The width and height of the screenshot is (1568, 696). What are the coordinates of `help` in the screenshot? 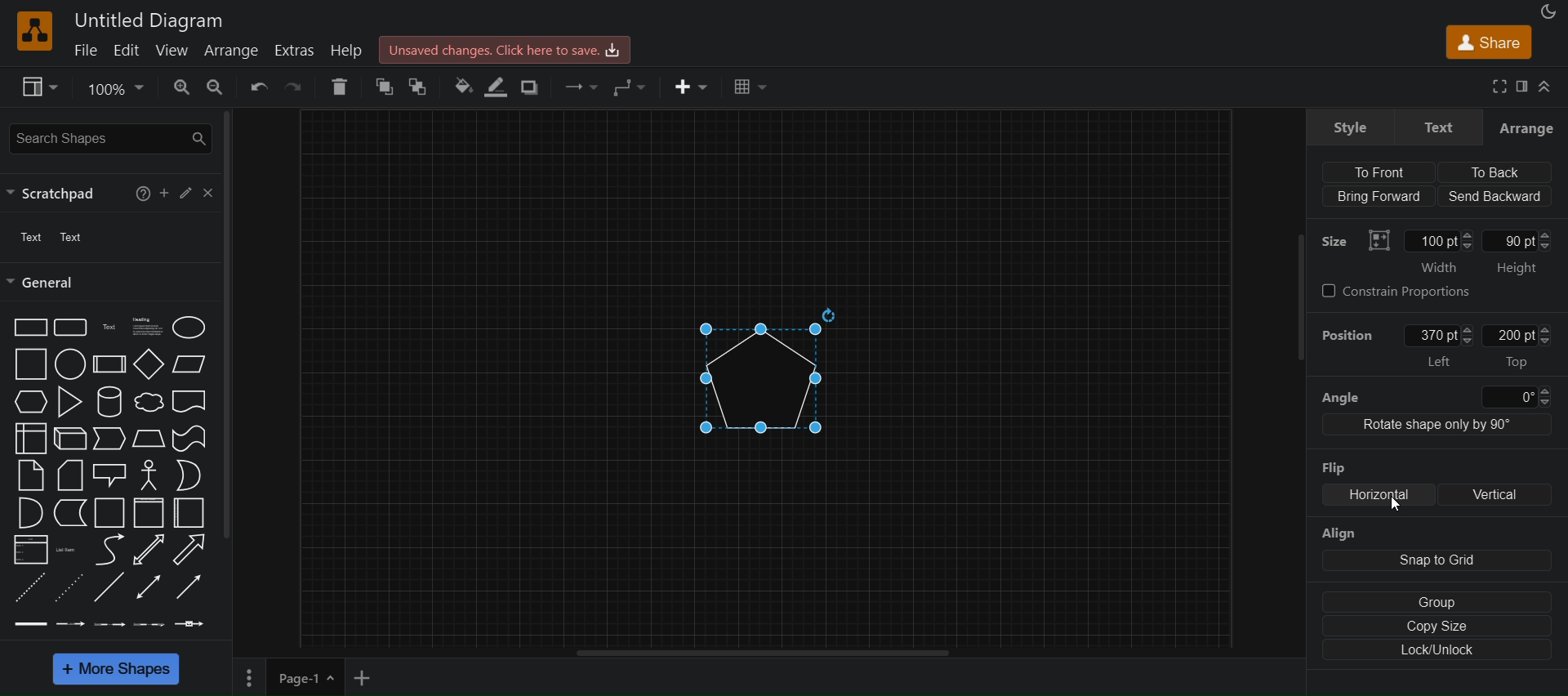 It's located at (143, 194).